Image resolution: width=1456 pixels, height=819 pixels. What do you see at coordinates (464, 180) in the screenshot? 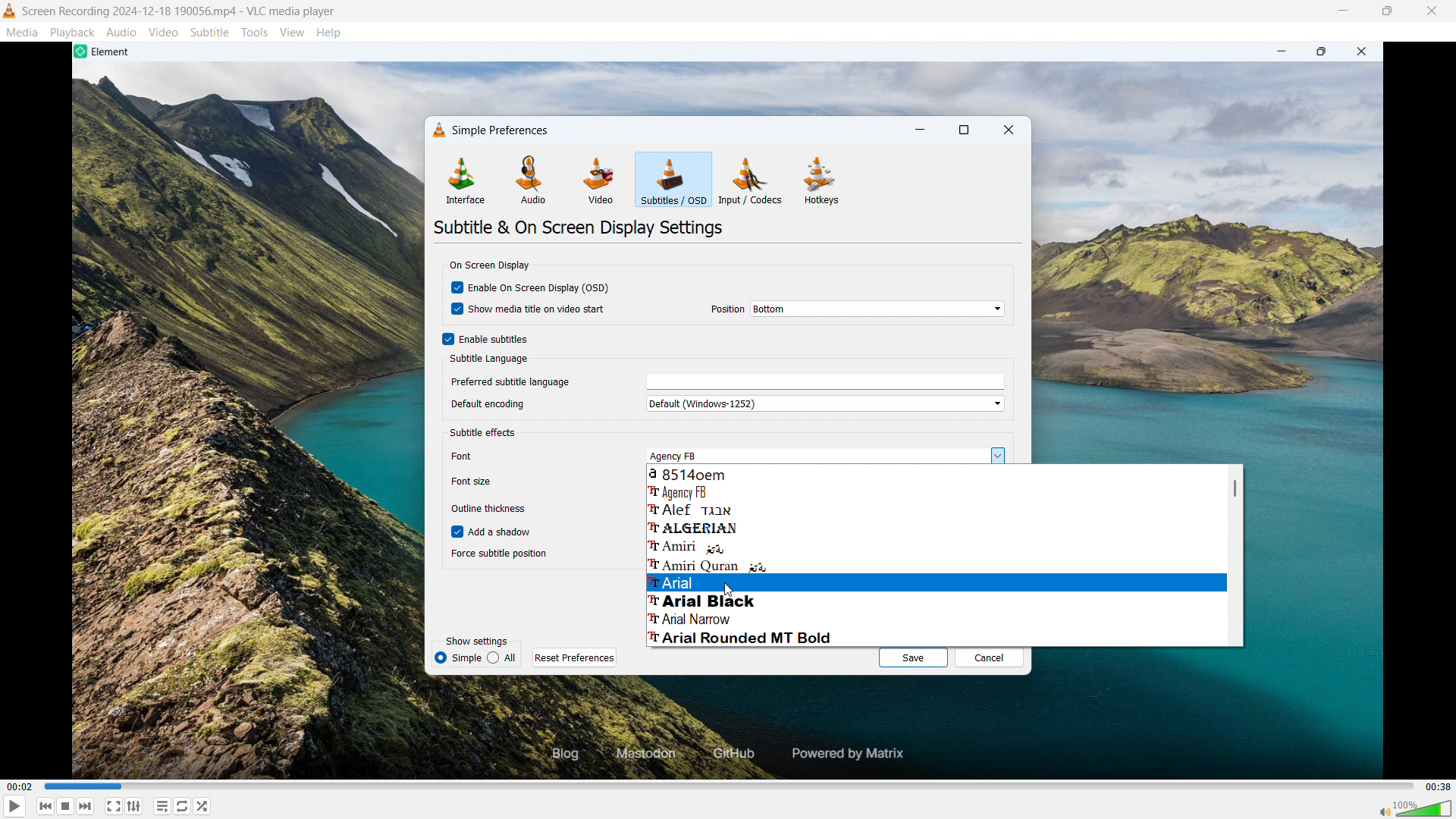
I see `interface` at bounding box center [464, 180].